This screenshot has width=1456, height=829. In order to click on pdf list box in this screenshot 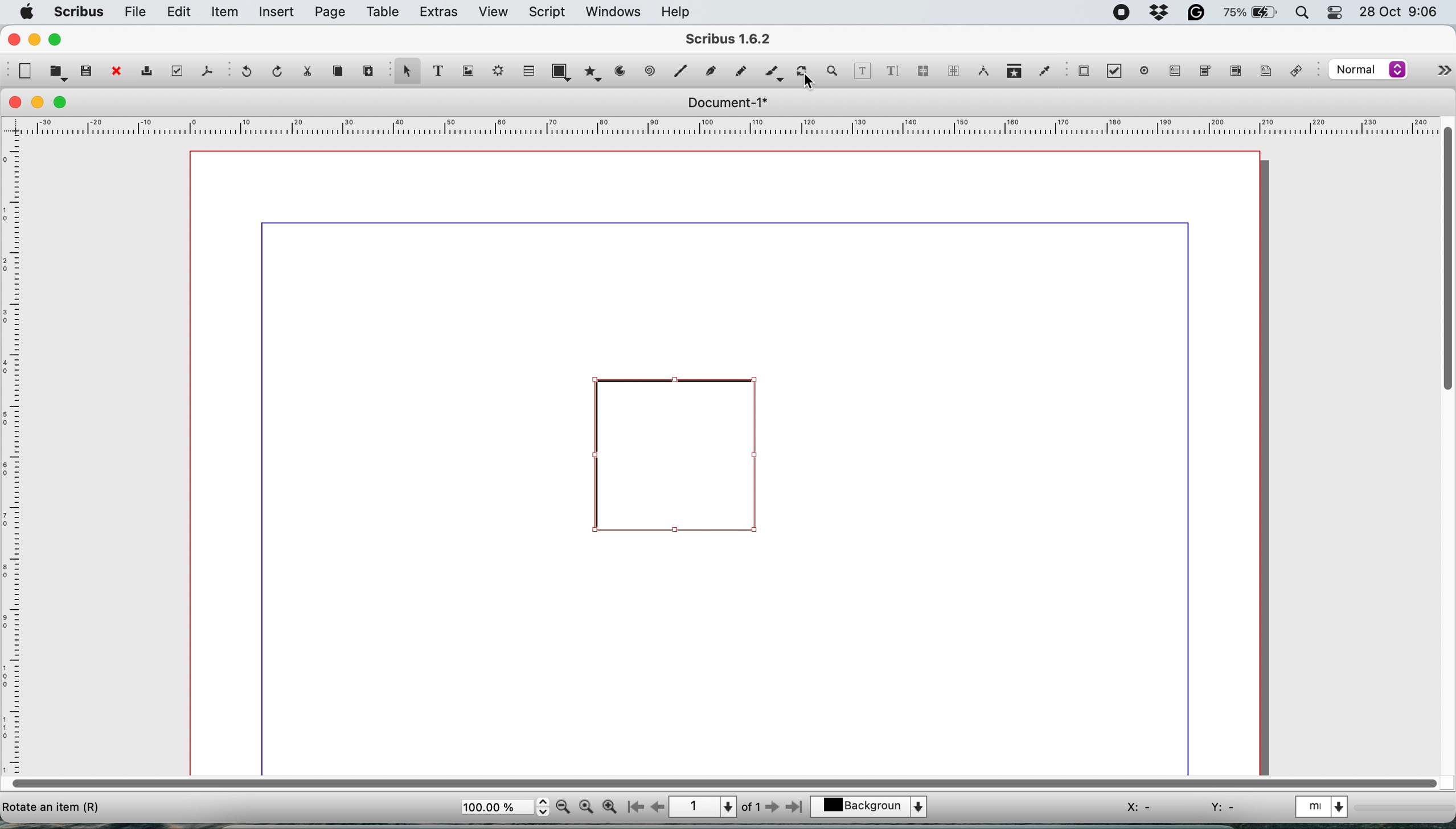, I will do `click(1234, 72)`.